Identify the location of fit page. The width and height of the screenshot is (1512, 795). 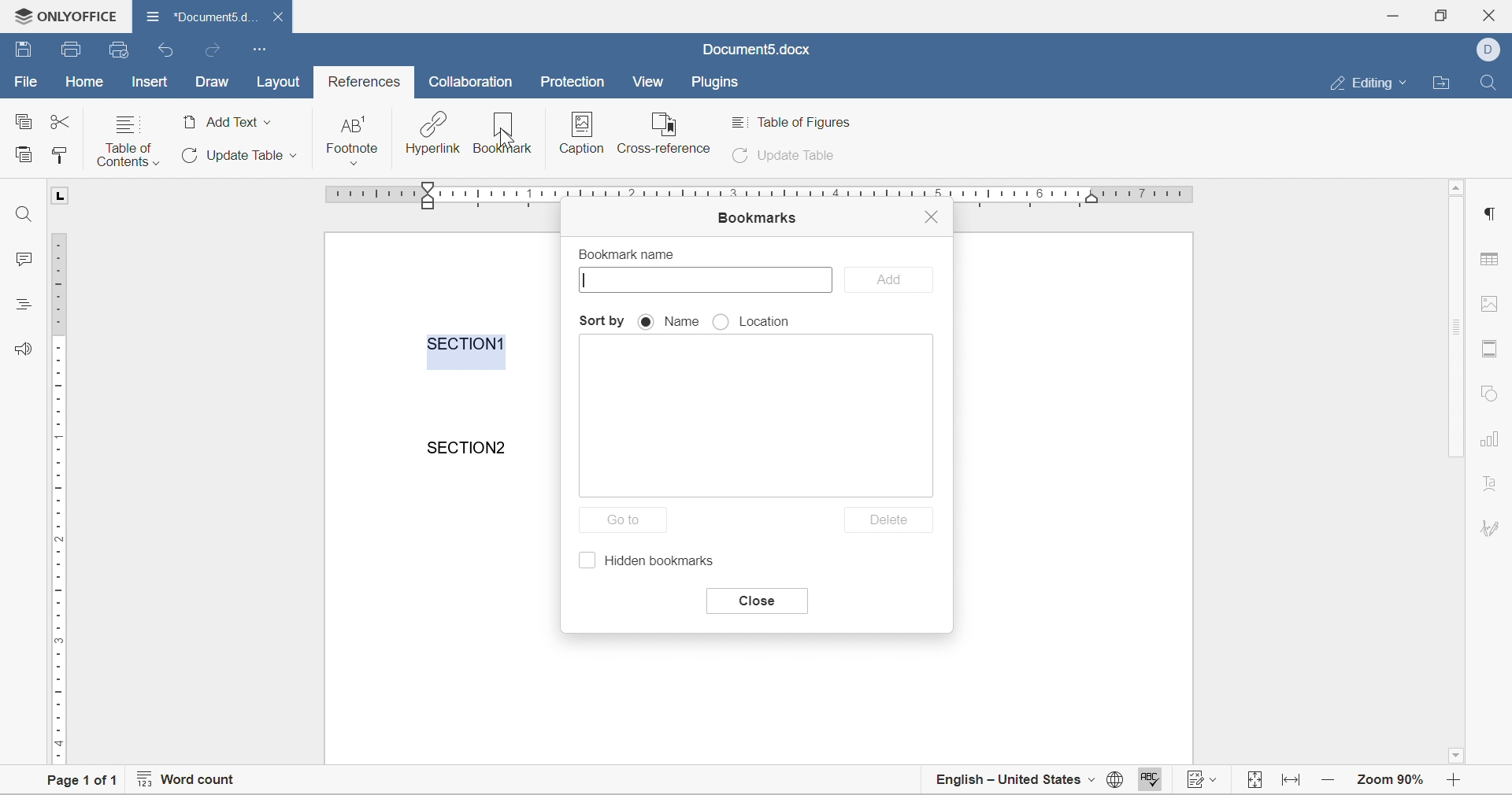
(1256, 781).